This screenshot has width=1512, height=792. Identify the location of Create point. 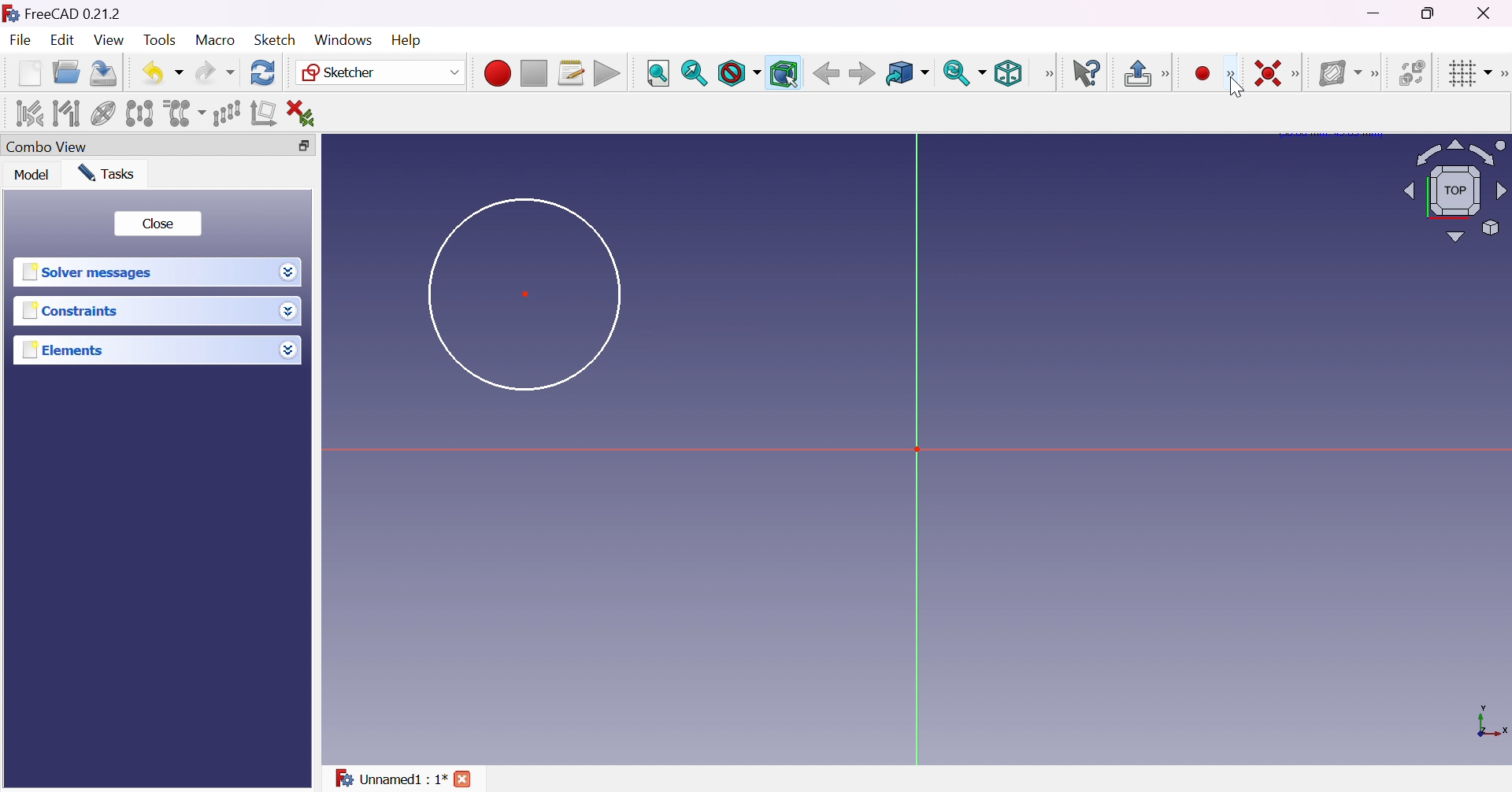
(1203, 74).